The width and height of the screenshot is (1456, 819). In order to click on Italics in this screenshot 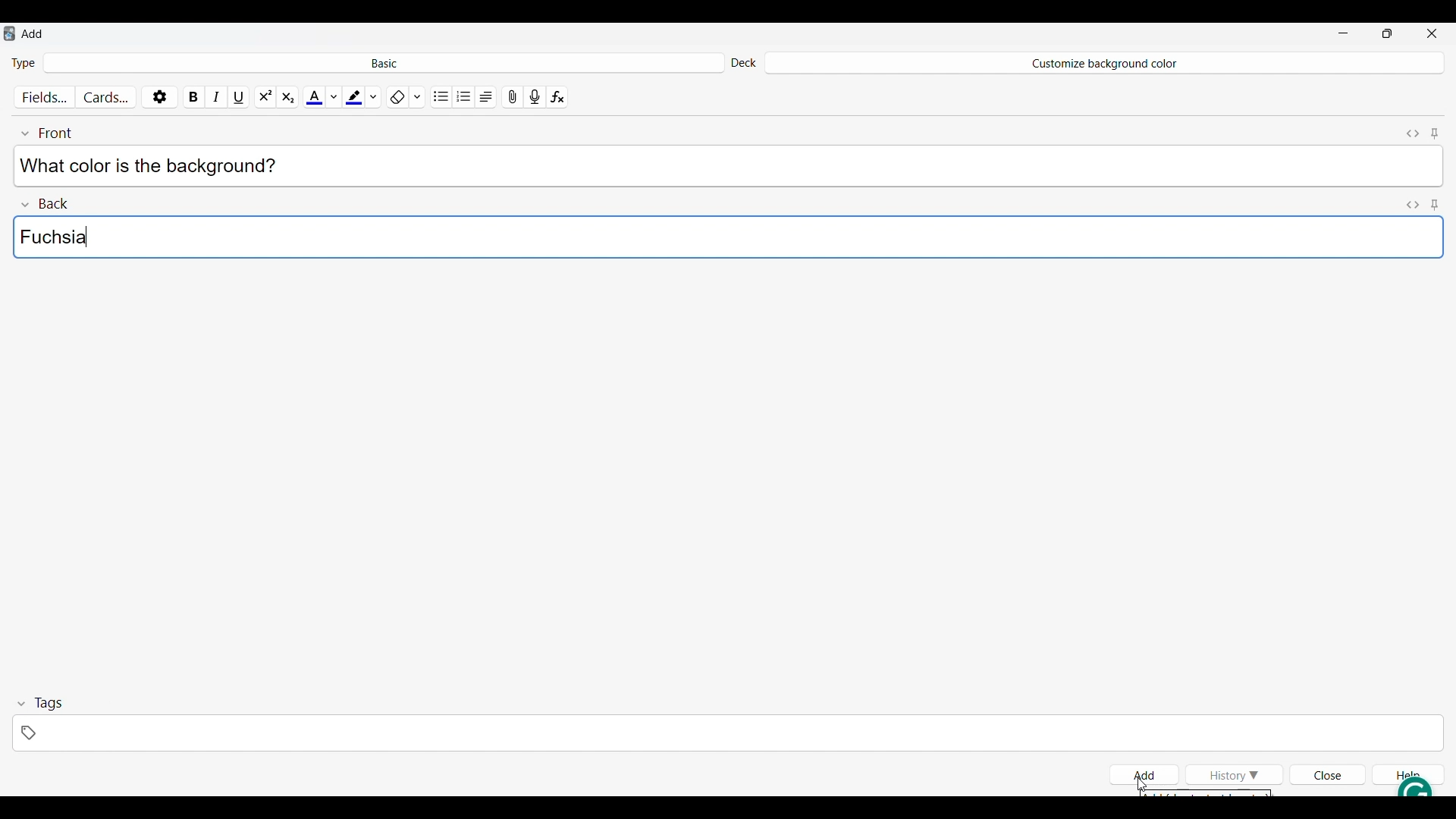, I will do `click(217, 95)`.